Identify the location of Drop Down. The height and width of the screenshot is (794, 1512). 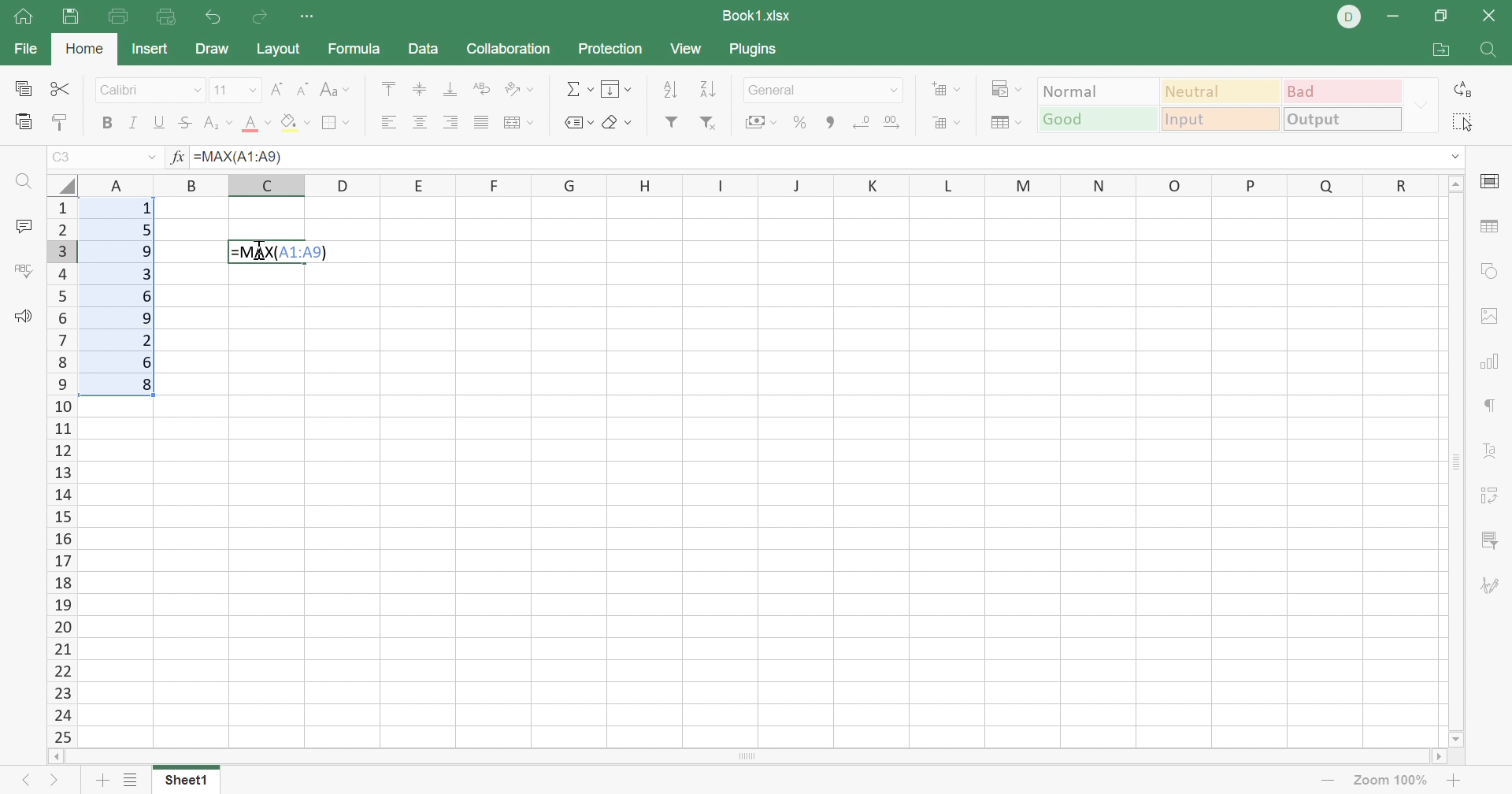
(895, 89).